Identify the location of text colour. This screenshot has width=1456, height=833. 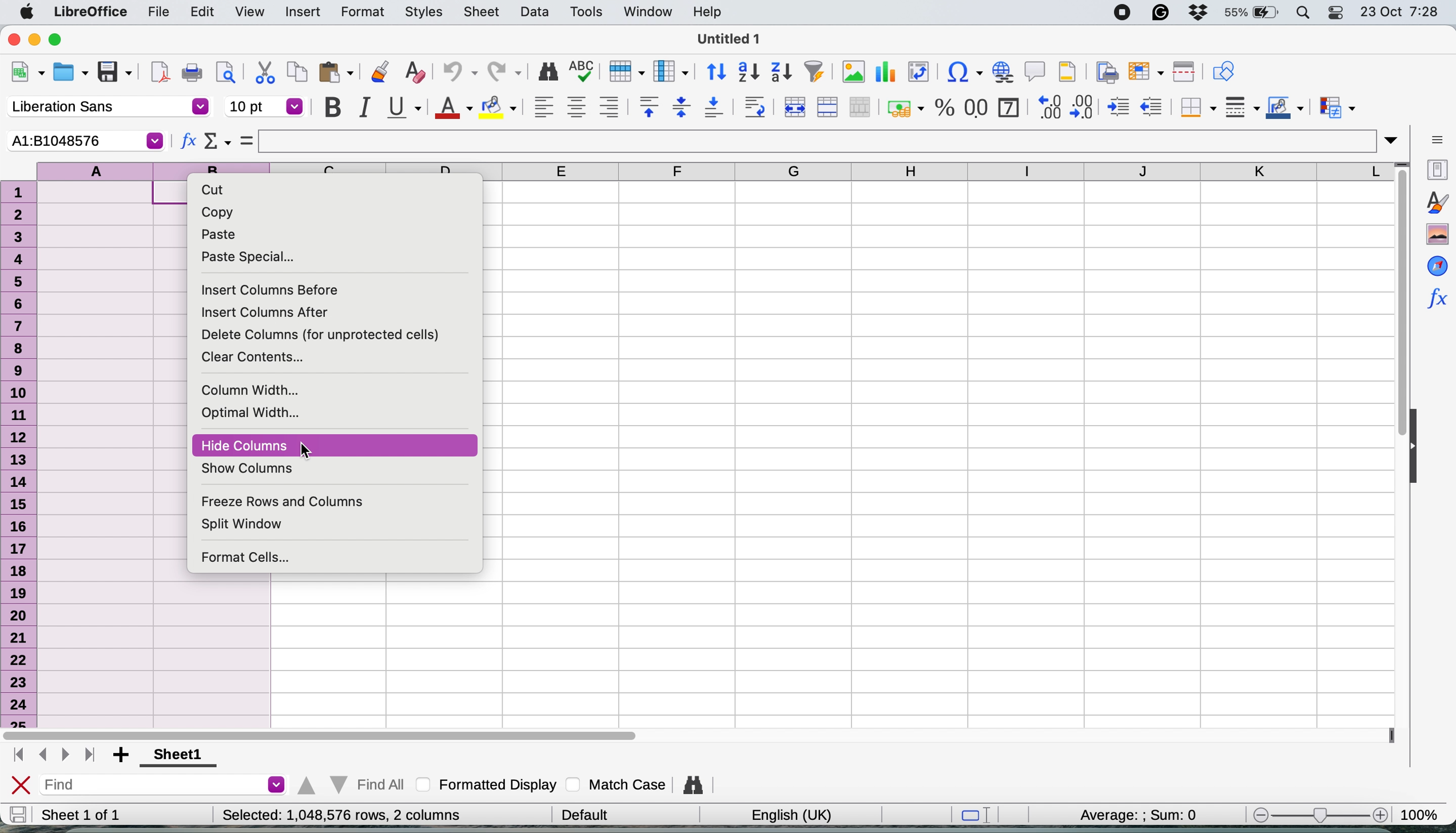
(455, 109).